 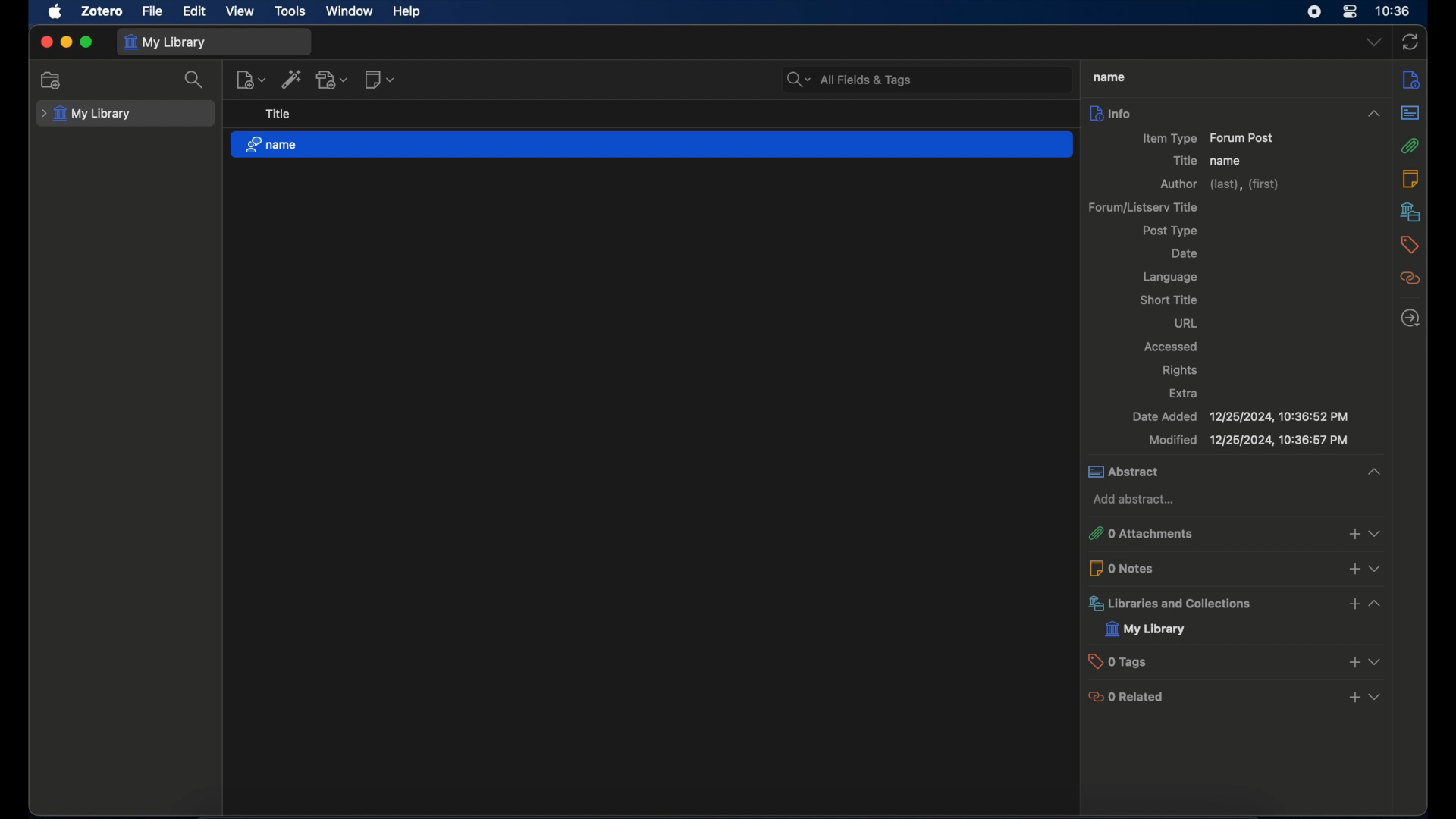 I want to click on zotero, so click(x=102, y=11).